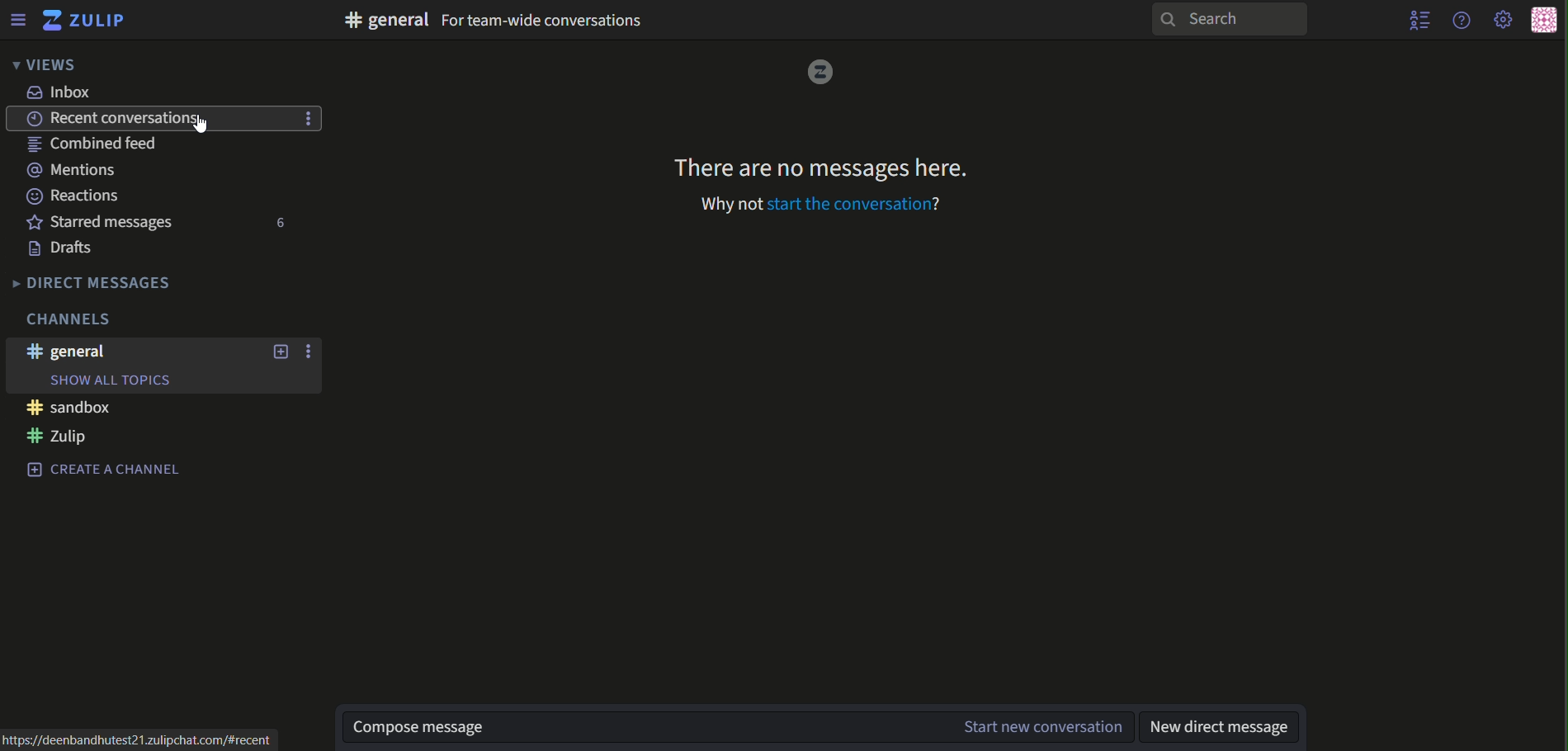 This screenshot has height=751, width=1568. What do you see at coordinates (827, 204) in the screenshot?
I see `start the conversation` at bounding box center [827, 204].